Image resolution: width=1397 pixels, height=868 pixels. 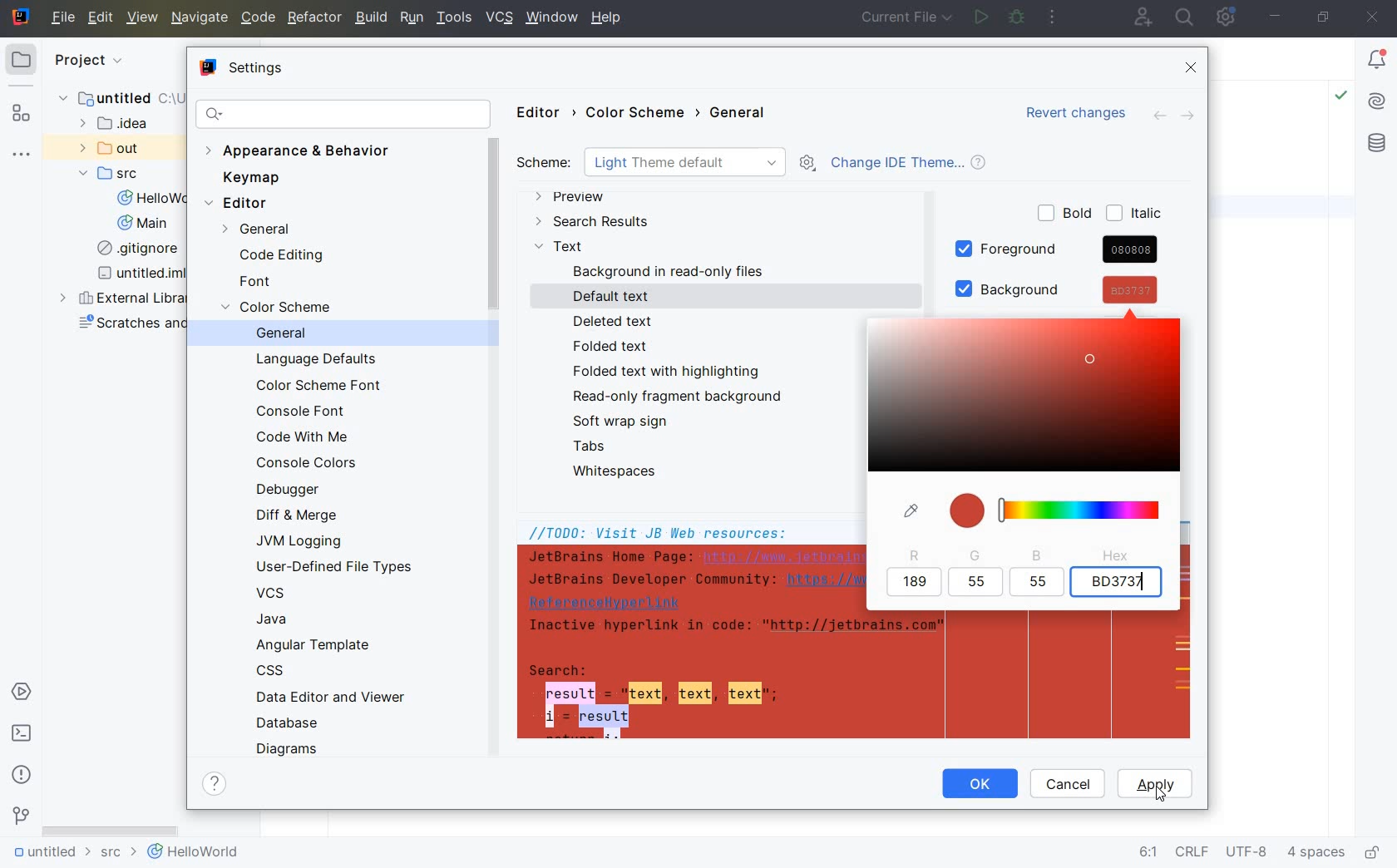 I want to click on DATA EDITOR AND VIEWER, so click(x=328, y=698).